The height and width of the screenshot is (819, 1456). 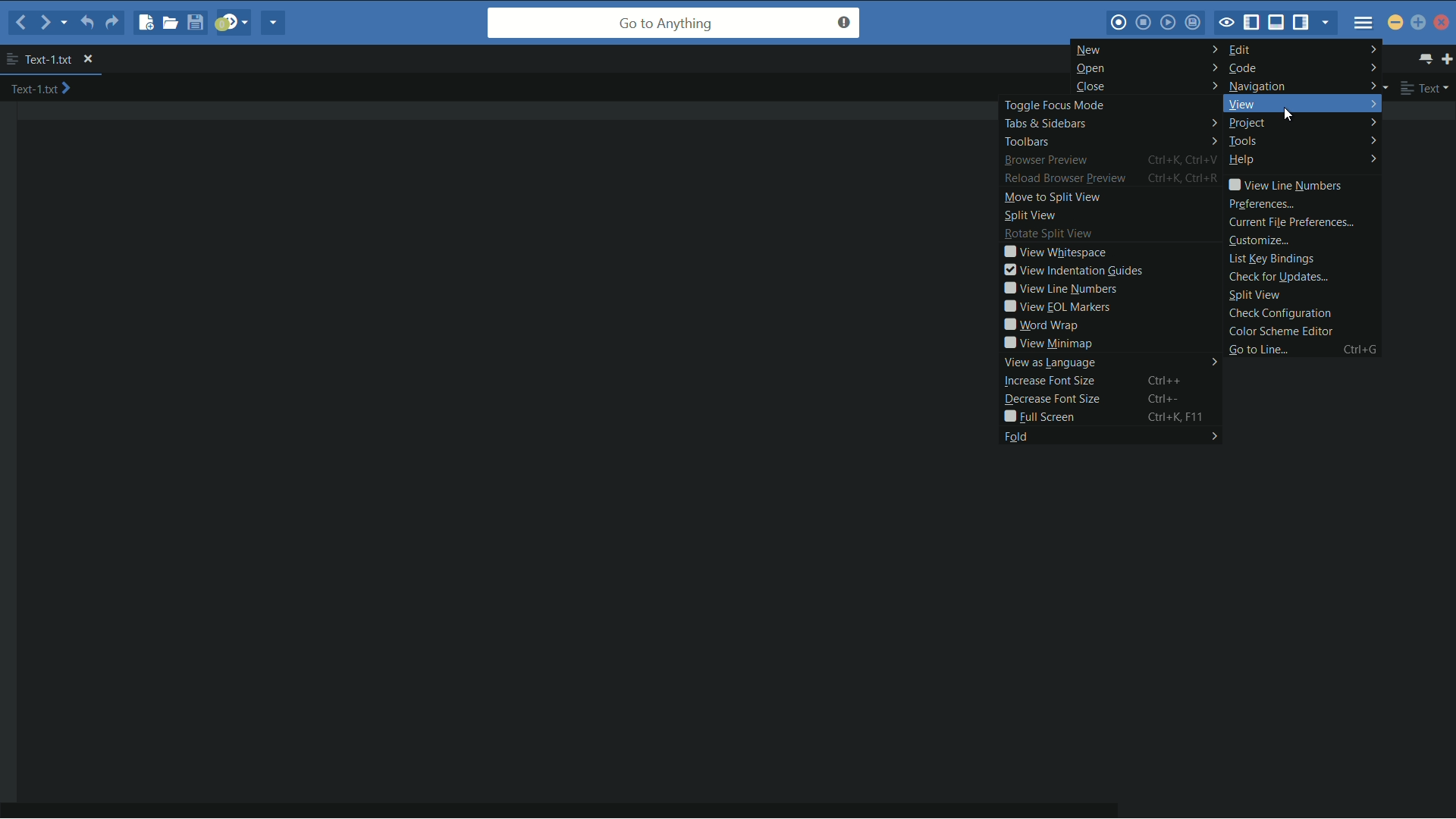 What do you see at coordinates (1040, 326) in the screenshot?
I see `word wrap` at bounding box center [1040, 326].